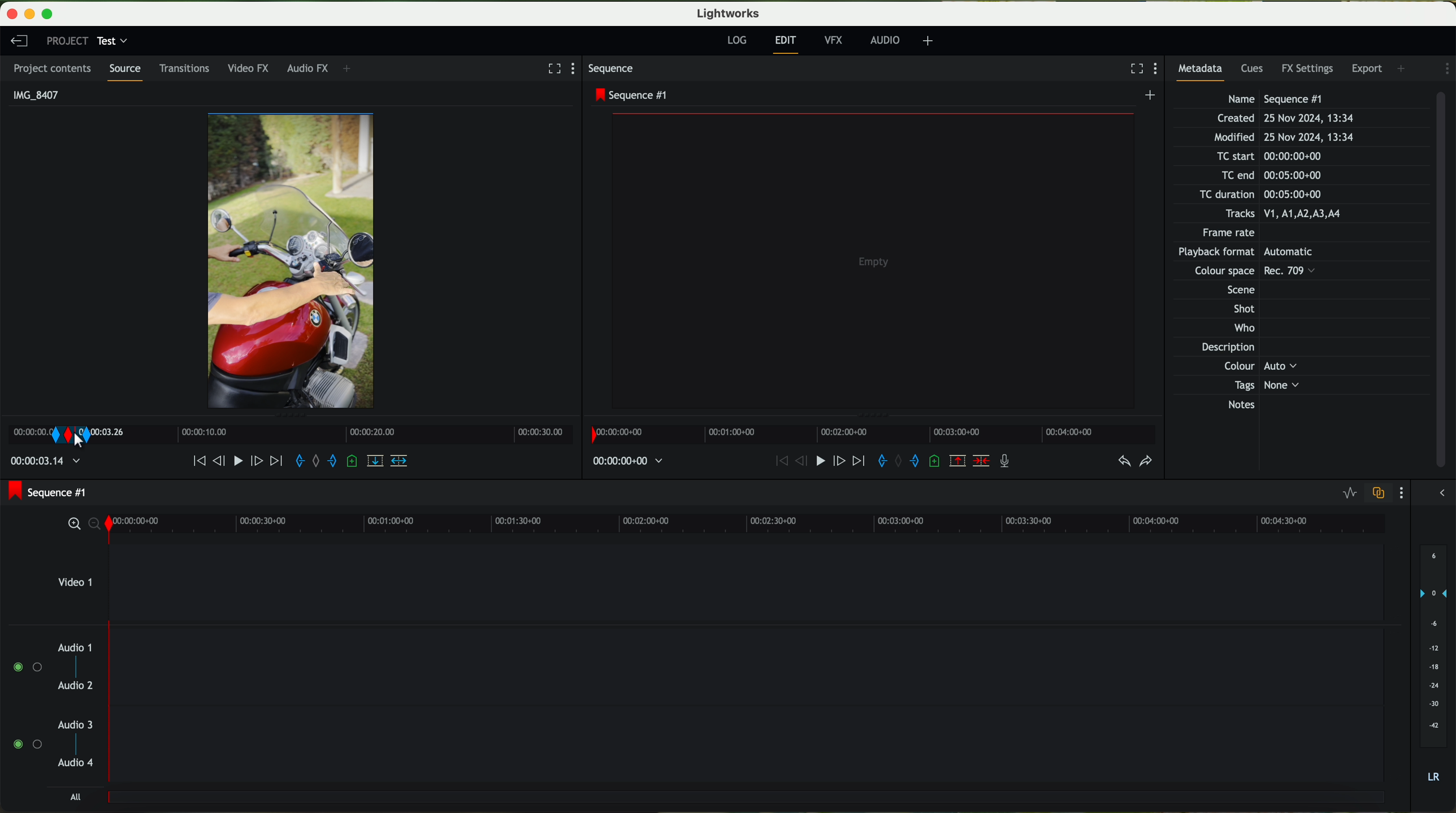 The height and width of the screenshot is (813, 1456). I want to click on time, so click(48, 462).